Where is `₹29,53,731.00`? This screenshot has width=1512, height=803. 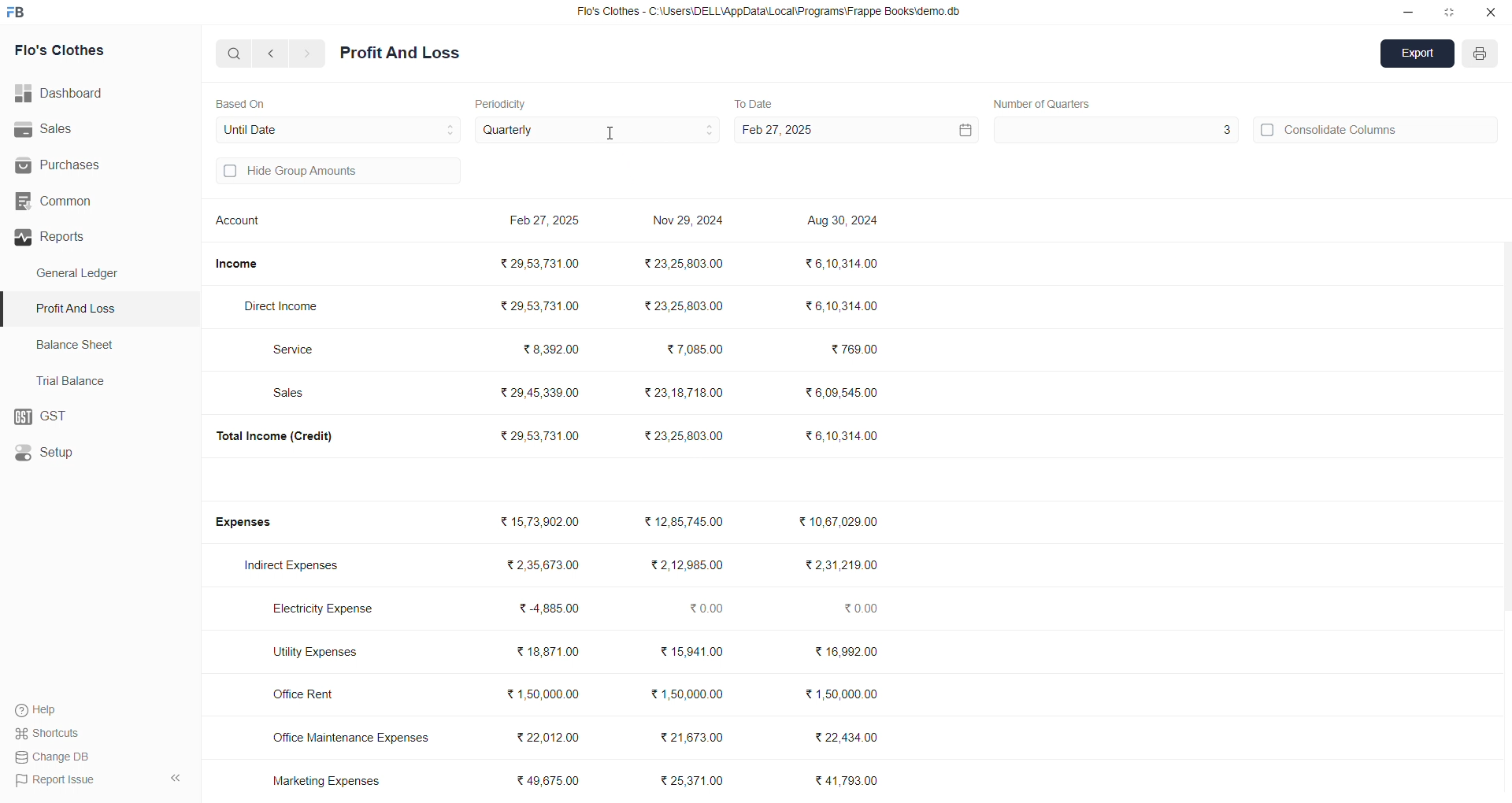
₹29,53,731.00 is located at coordinates (543, 263).